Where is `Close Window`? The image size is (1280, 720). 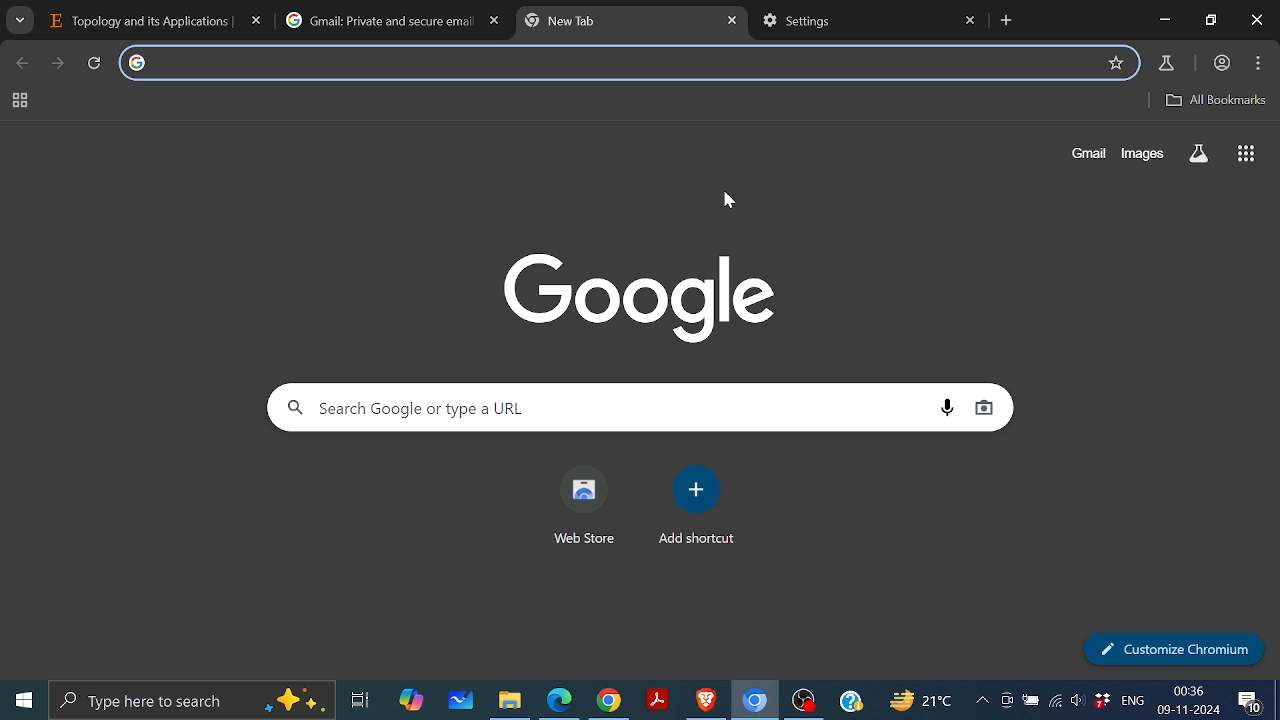 Close Window is located at coordinates (1256, 20).